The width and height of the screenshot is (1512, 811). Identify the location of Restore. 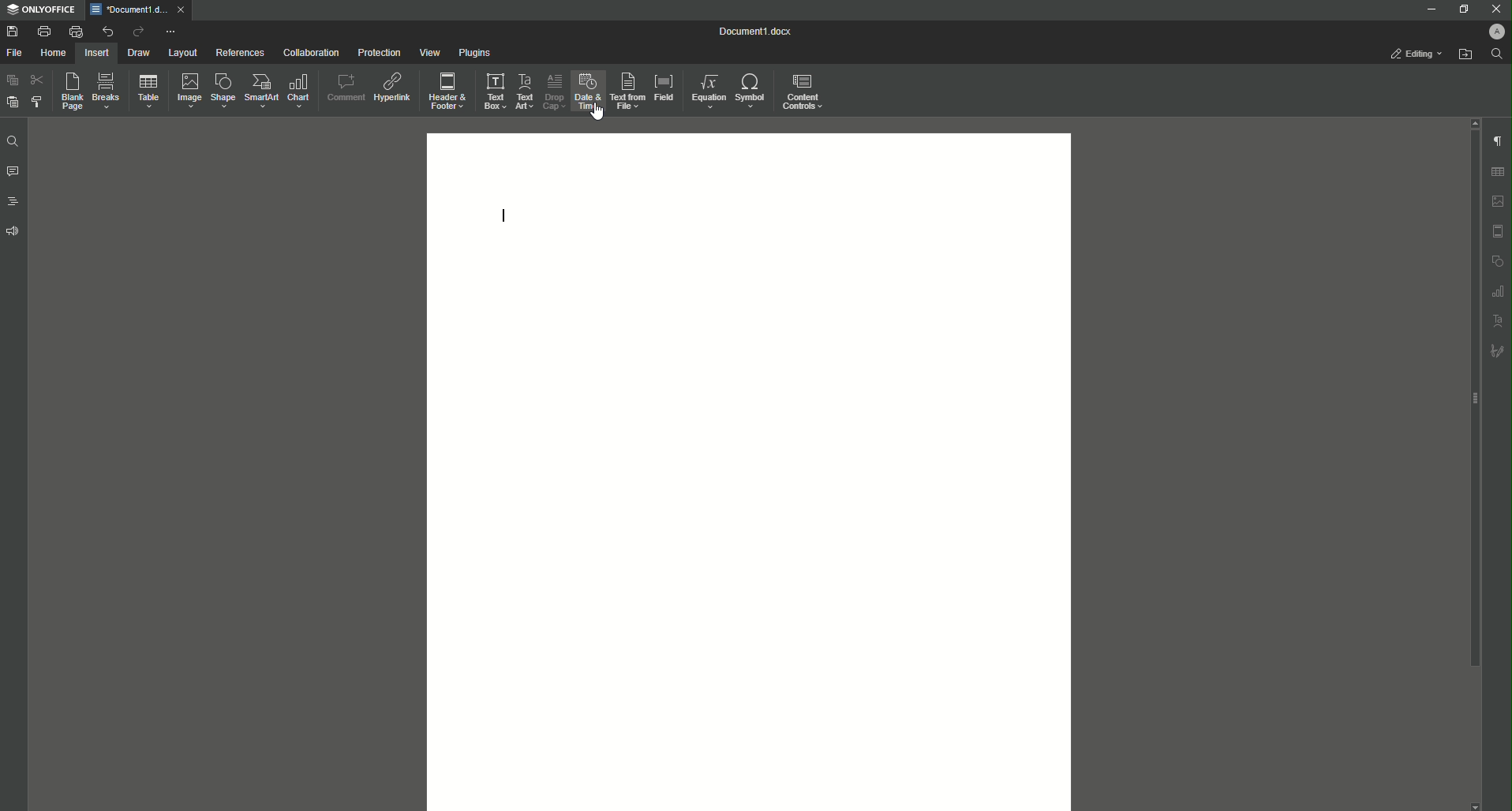
(1460, 9).